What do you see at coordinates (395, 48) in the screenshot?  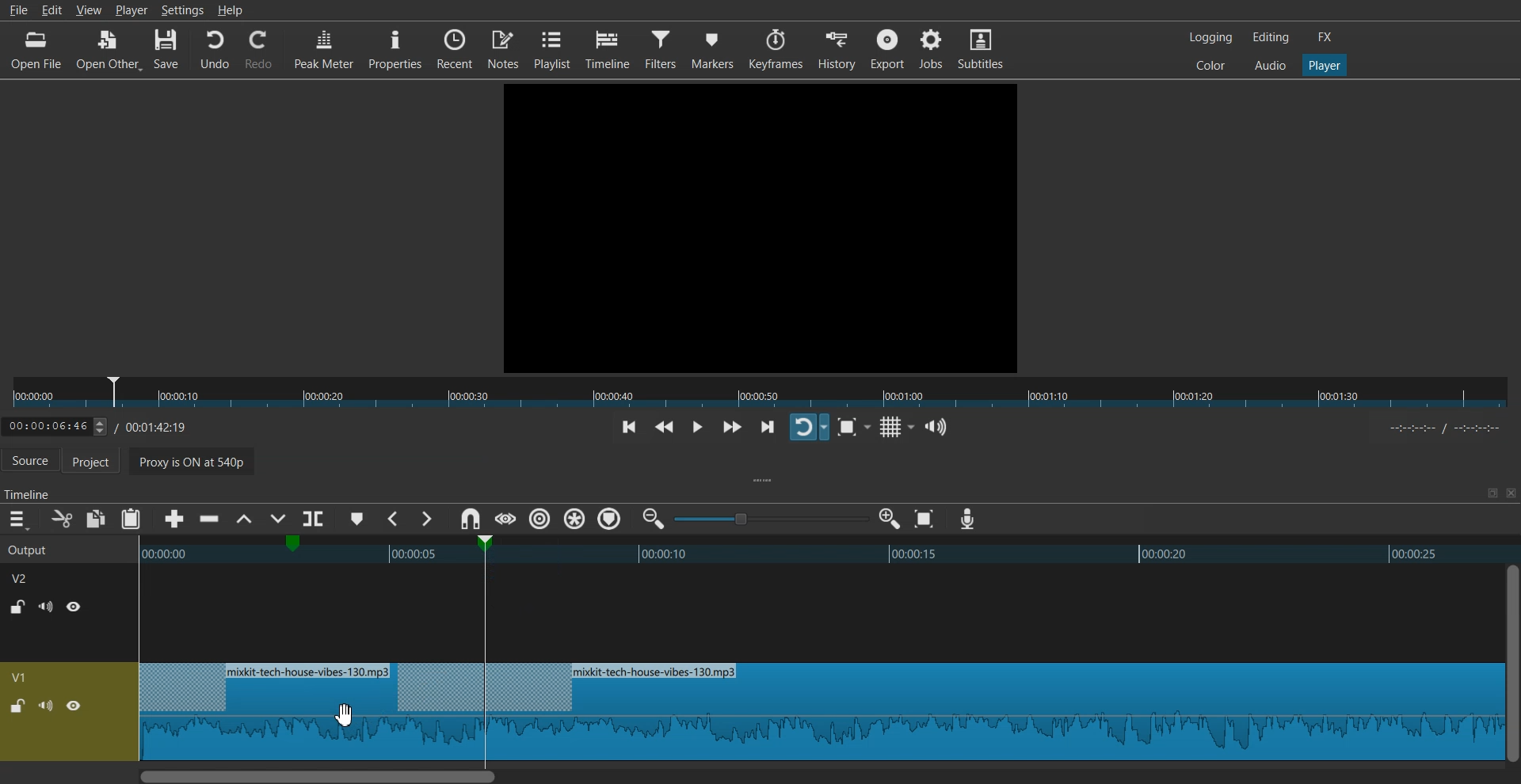 I see `Properties` at bounding box center [395, 48].